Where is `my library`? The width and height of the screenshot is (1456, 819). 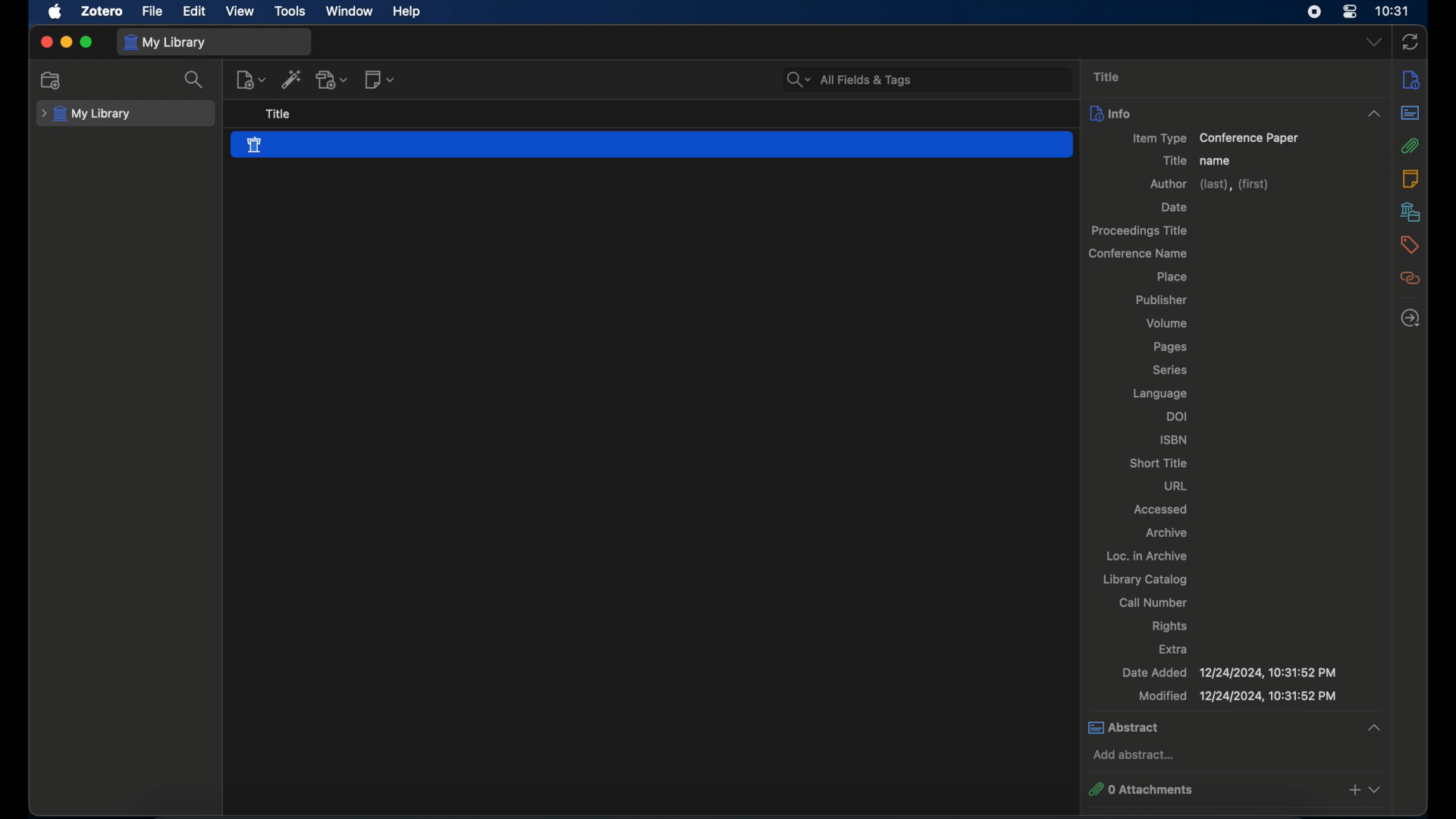
my library is located at coordinates (86, 115).